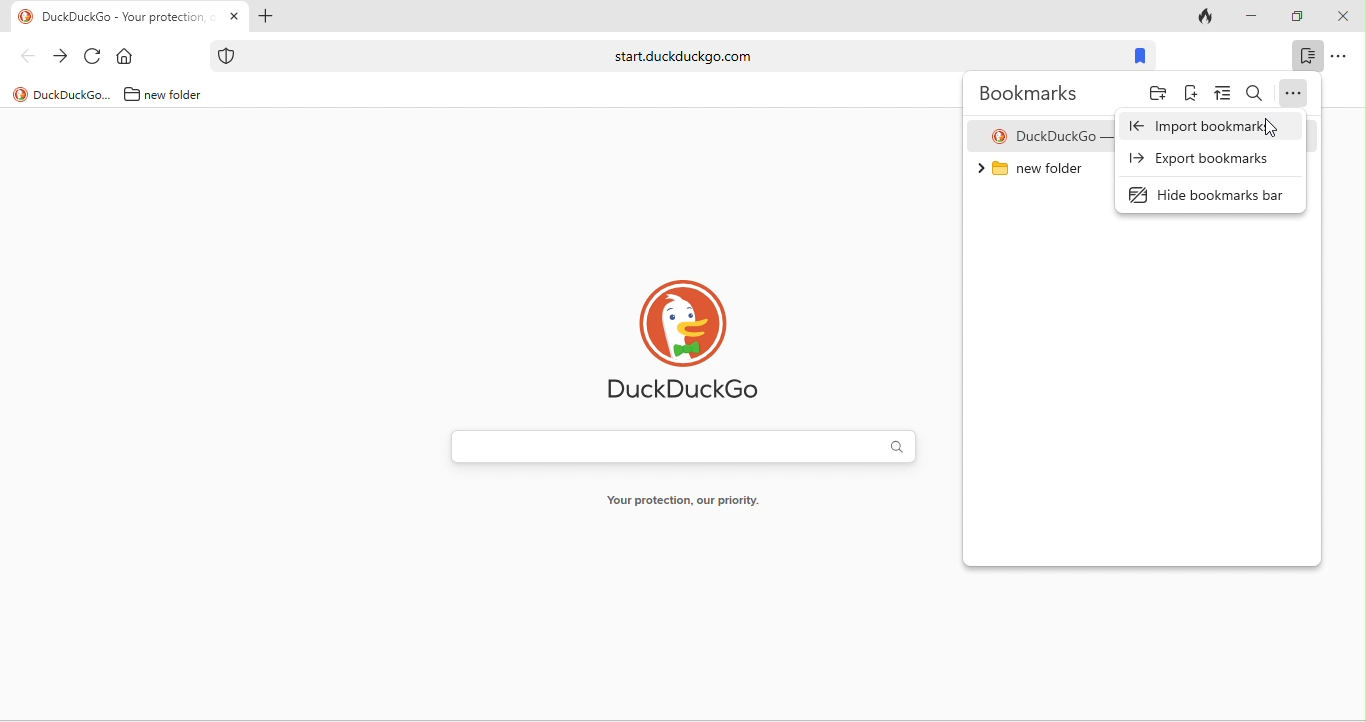  What do you see at coordinates (683, 55) in the screenshot?
I see `start.duckduckgo.com` at bounding box center [683, 55].